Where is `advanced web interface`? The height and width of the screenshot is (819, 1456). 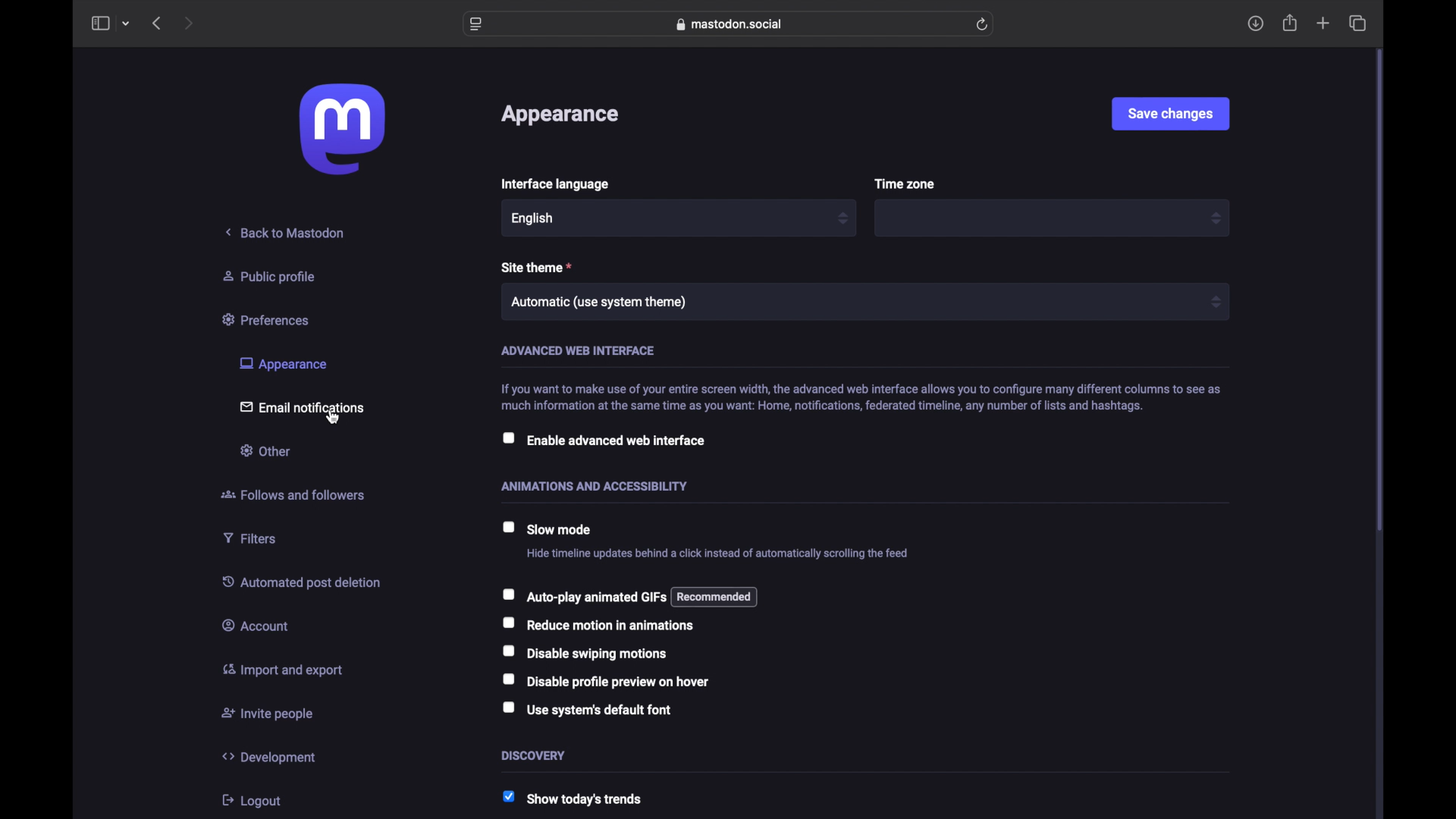
advanced web interface is located at coordinates (578, 350).